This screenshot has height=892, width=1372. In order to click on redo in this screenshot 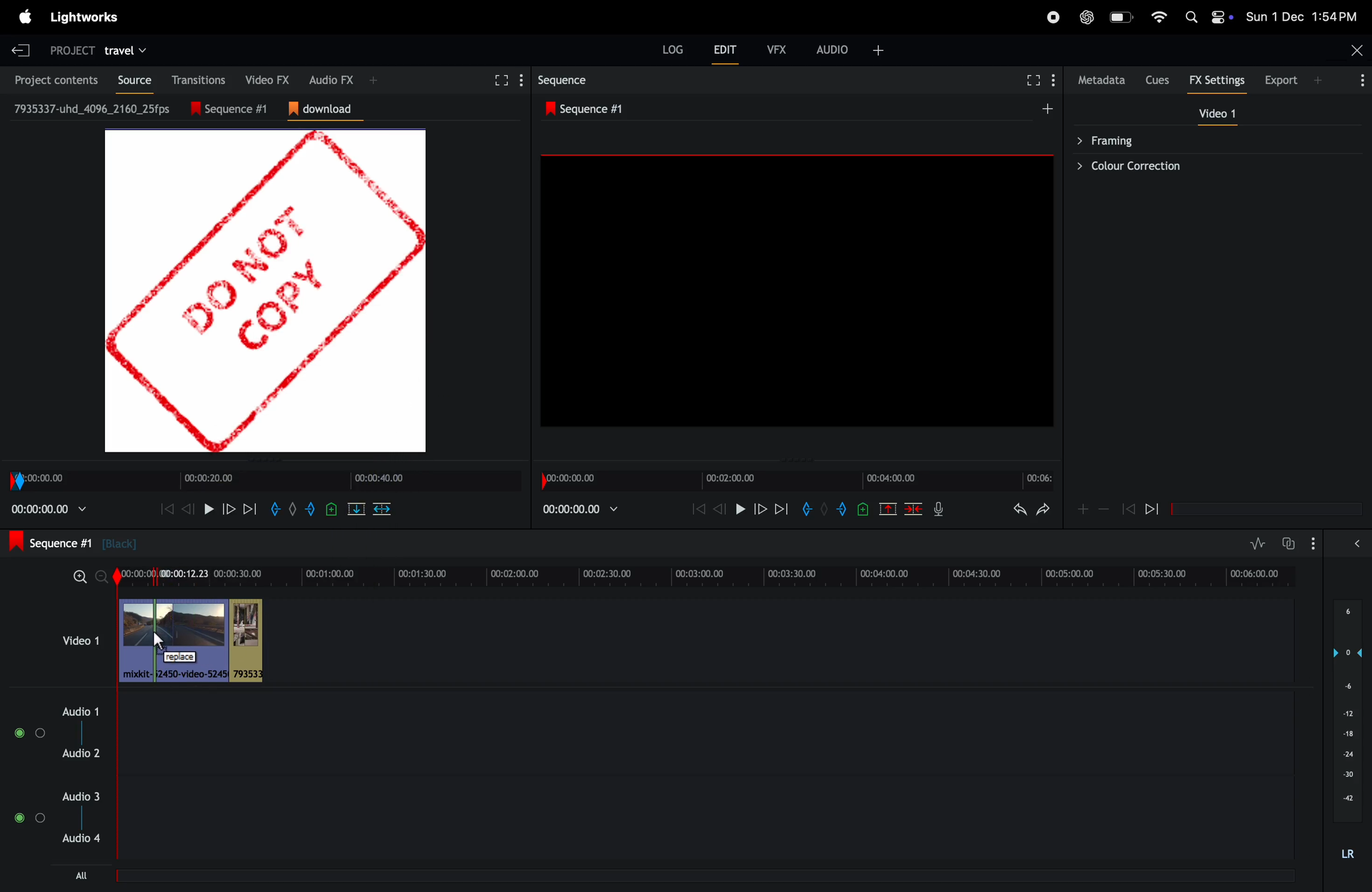, I will do `click(1043, 509)`.